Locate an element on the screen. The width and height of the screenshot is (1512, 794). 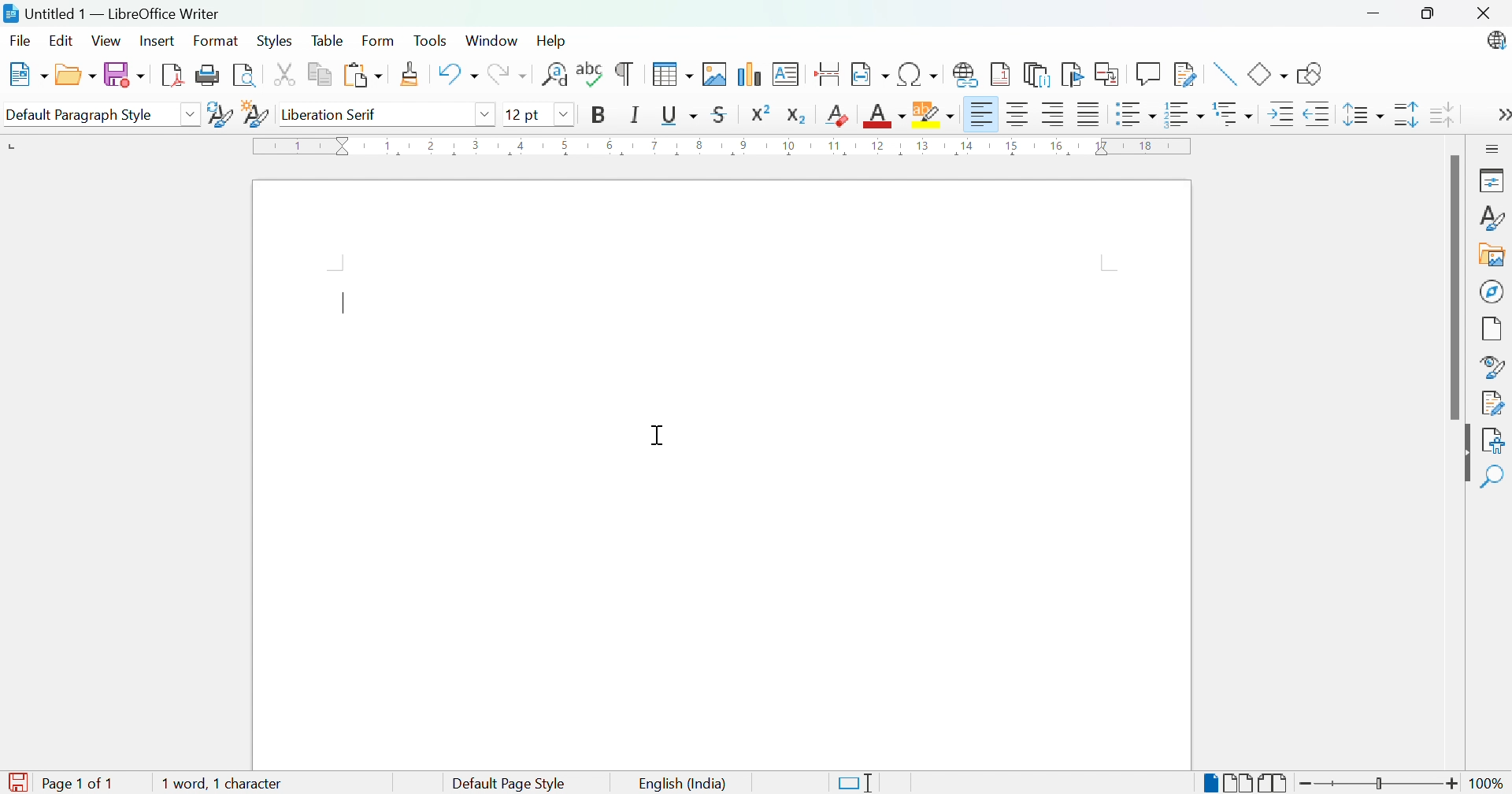
Bold is located at coordinates (595, 114).